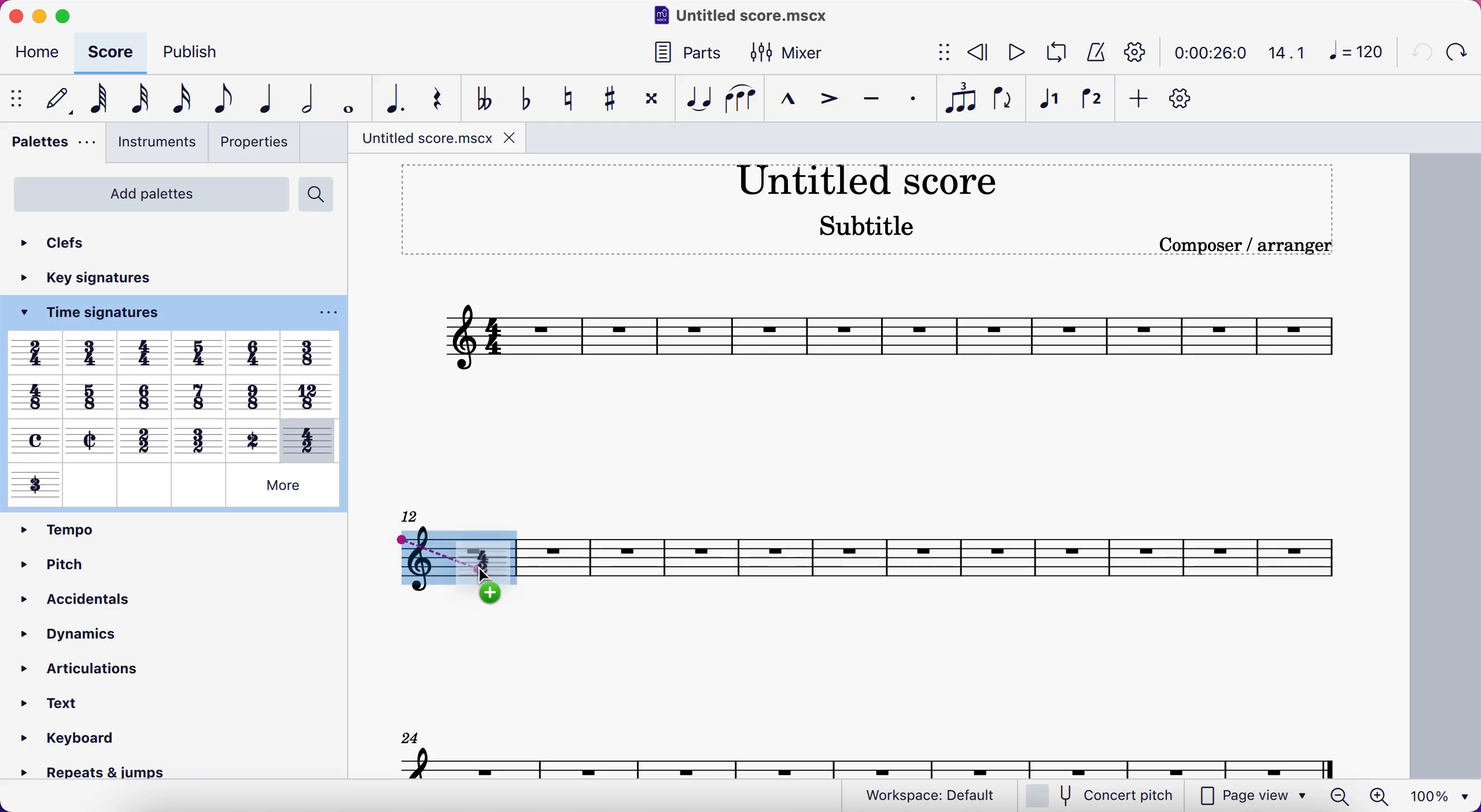 The height and width of the screenshot is (812, 1481). I want to click on , so click(310, 394).